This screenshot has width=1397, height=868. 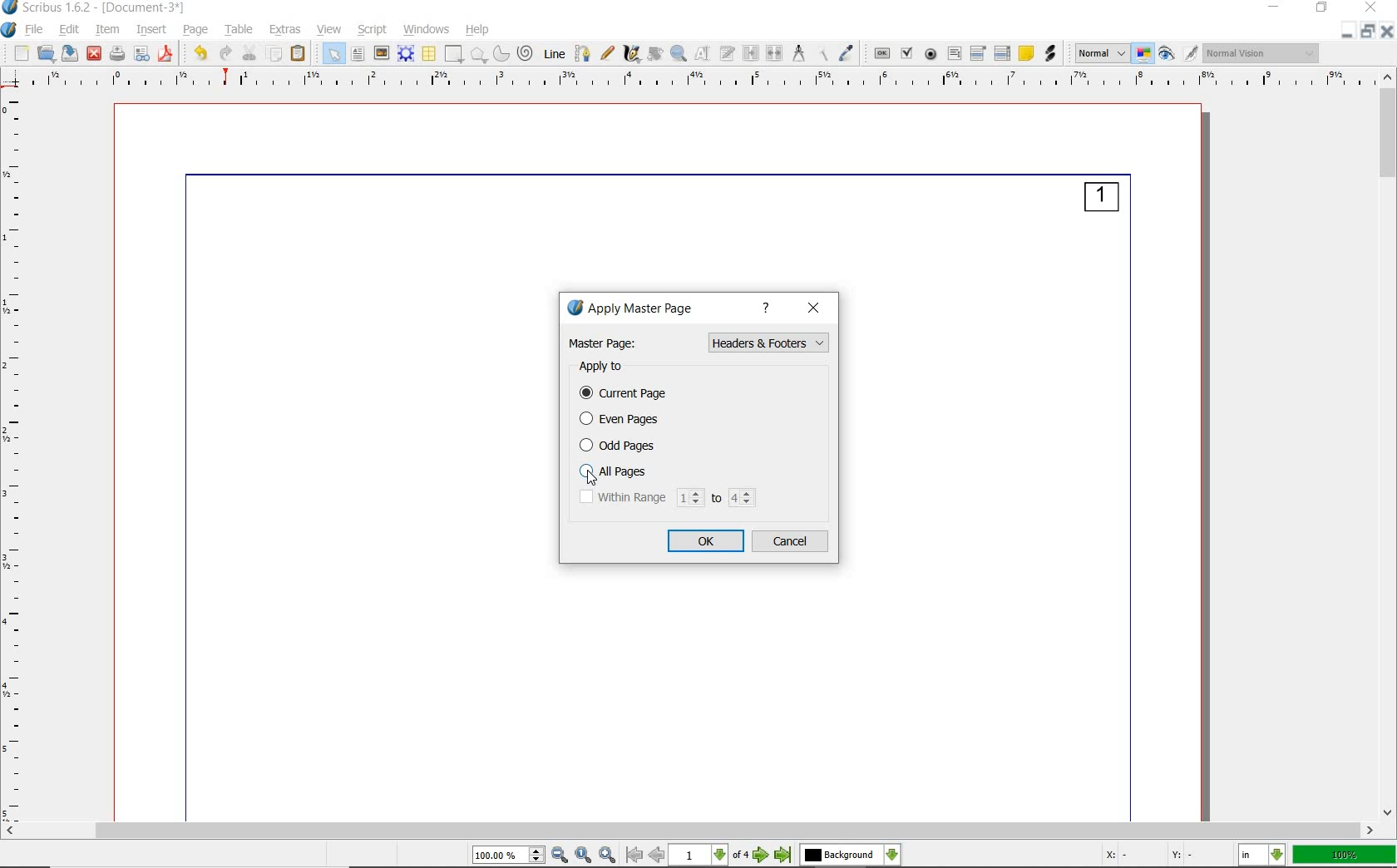 What do you see at coordinates (769, 390) in the screenshot?
I see `page numbers` at bounding box center [769, 390].